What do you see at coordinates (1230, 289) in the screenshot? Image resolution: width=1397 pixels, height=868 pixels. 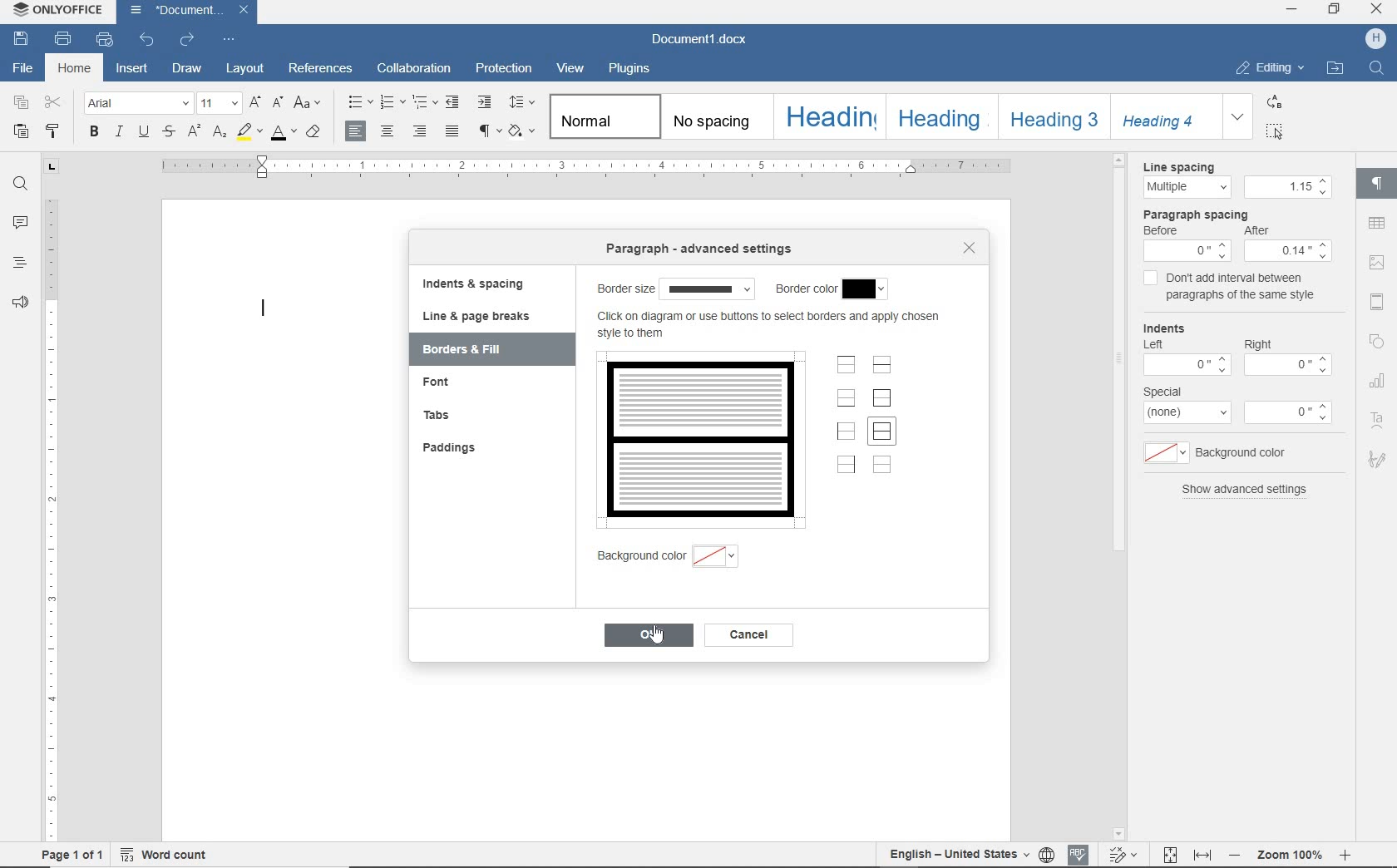 I see `don't add interval between paragraphs of the same style` at bounding box center [1230, 289].